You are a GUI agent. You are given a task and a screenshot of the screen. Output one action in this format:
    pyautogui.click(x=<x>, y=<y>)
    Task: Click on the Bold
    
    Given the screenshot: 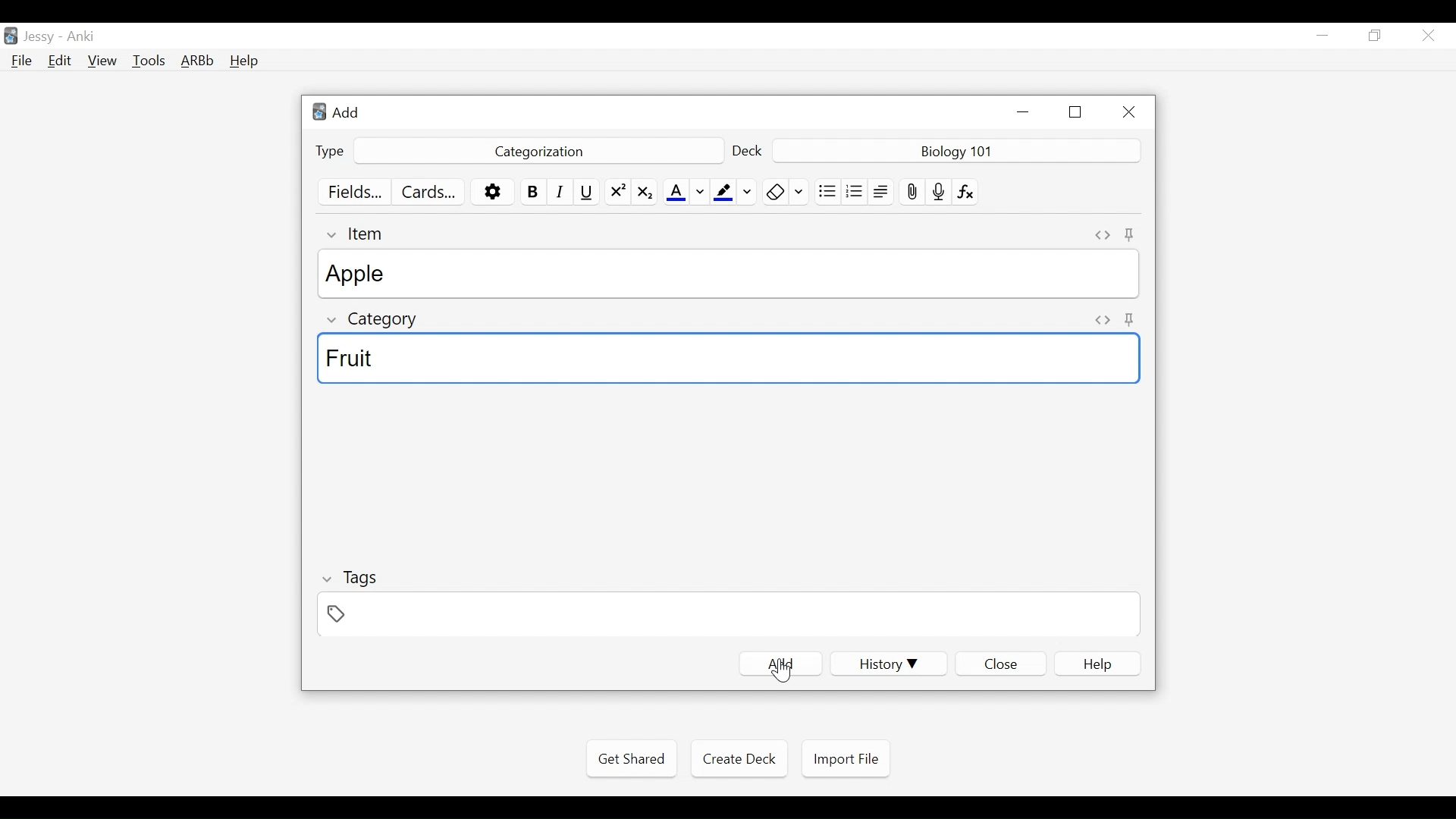 What is the action you would take?
    pyautogui.click(x=534, y=192)
    